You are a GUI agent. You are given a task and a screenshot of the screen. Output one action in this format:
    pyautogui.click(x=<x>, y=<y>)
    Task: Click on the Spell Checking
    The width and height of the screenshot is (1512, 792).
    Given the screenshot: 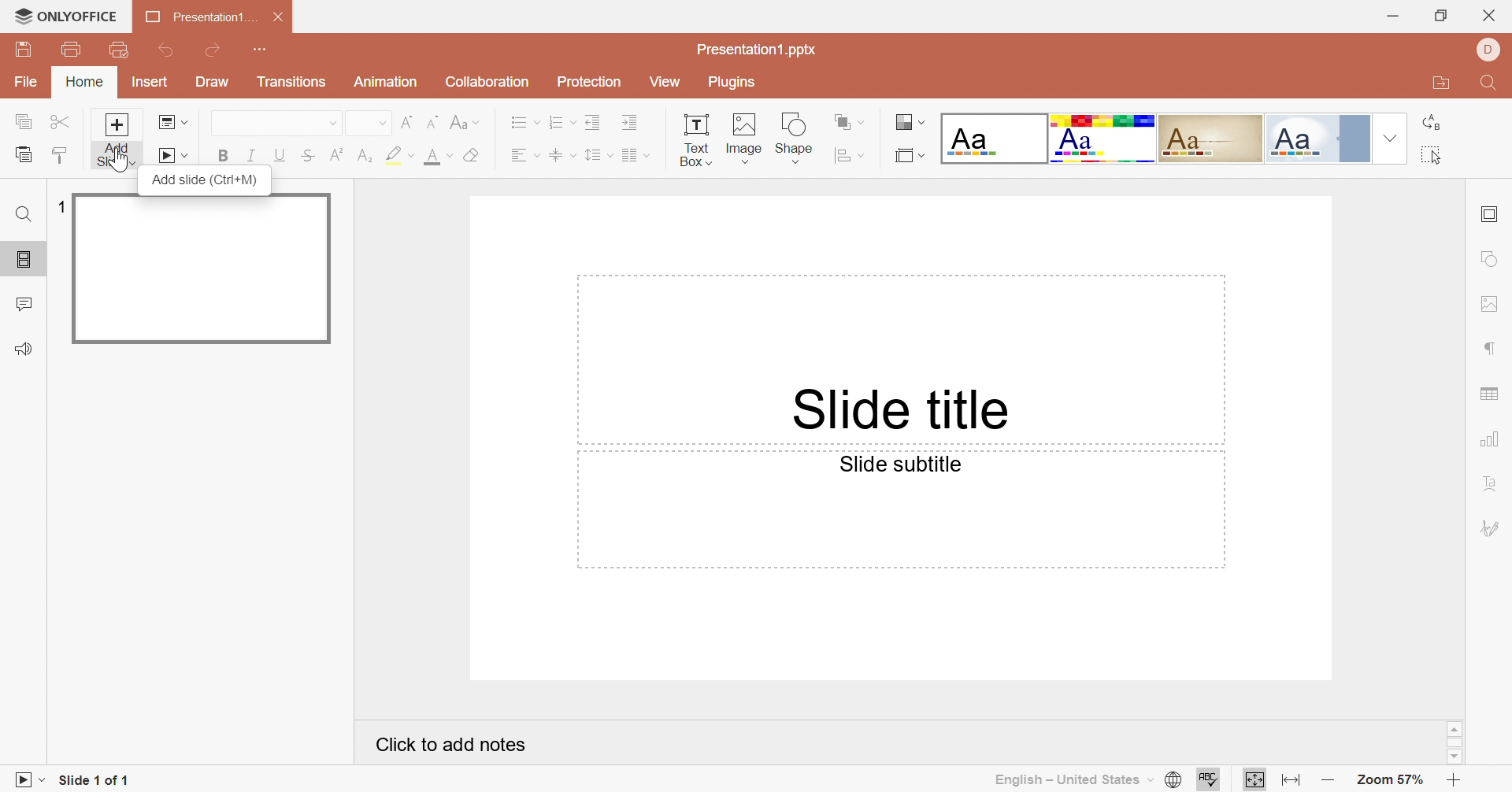 What is the action you would take?
    pyautogui.click(x=1212, y=780)
    